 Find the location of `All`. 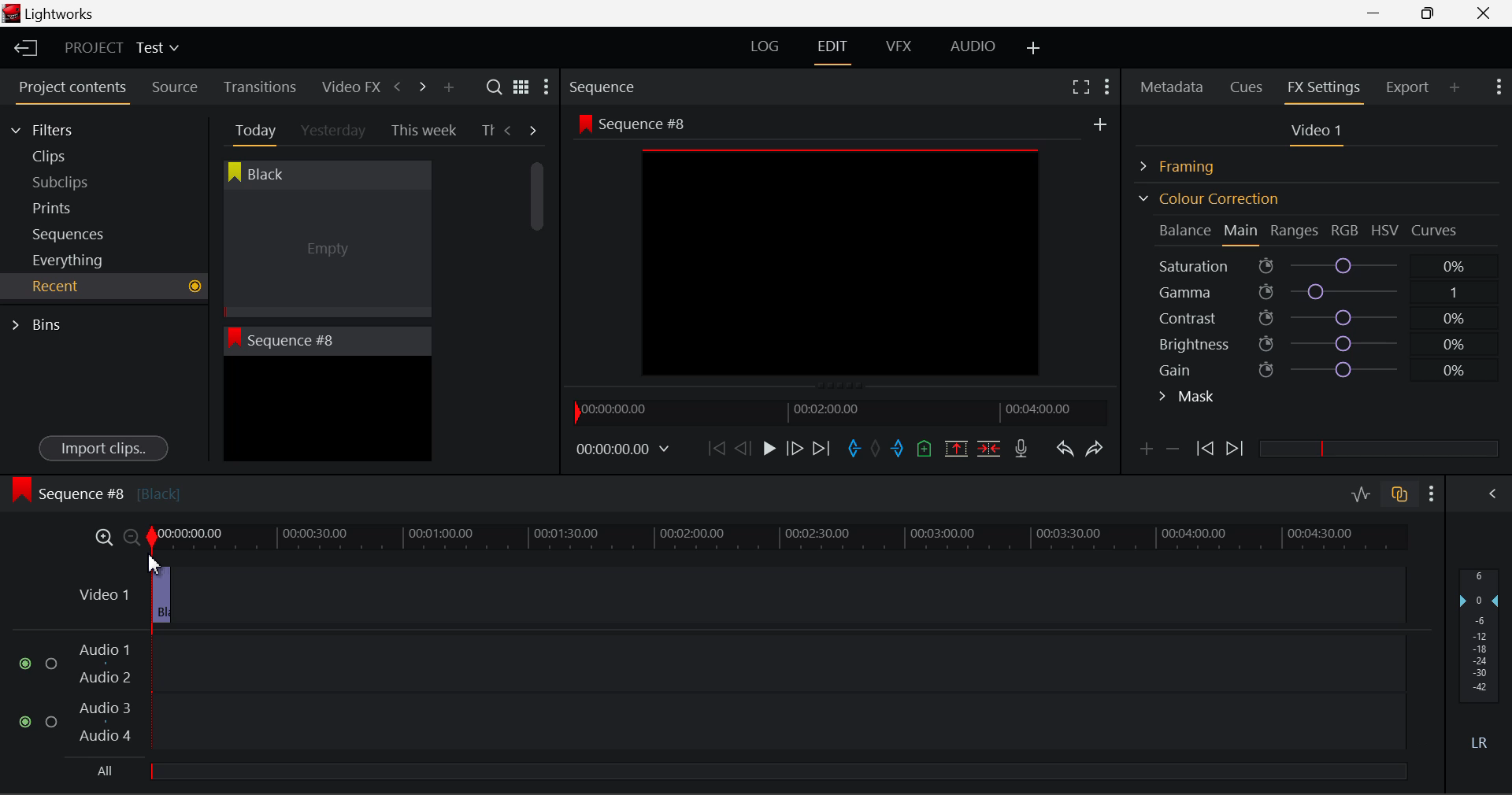

All is located at coordinates (106, 771).